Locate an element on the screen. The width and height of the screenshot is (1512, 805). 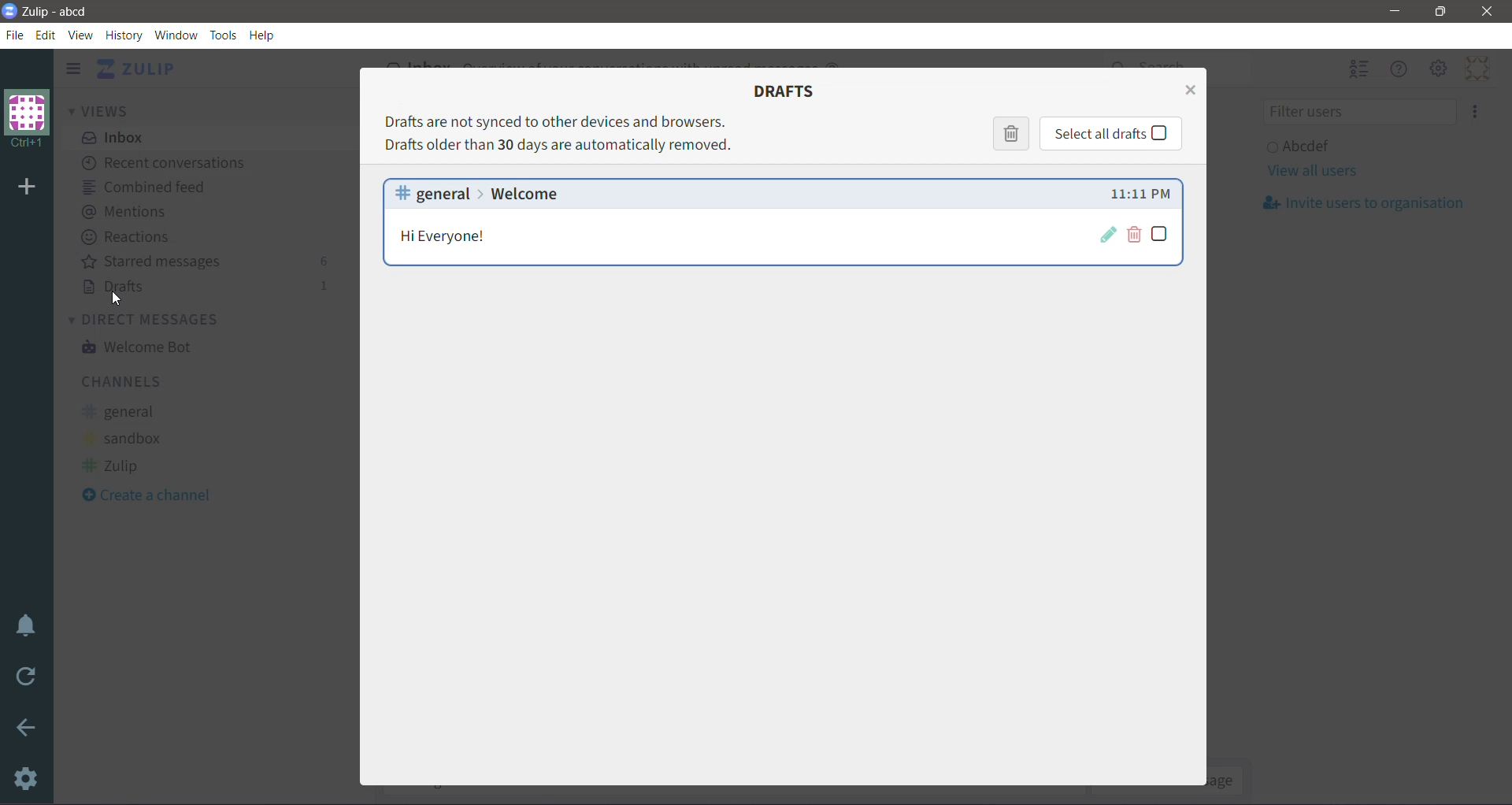
Edit is located at coordinates (46, 35).